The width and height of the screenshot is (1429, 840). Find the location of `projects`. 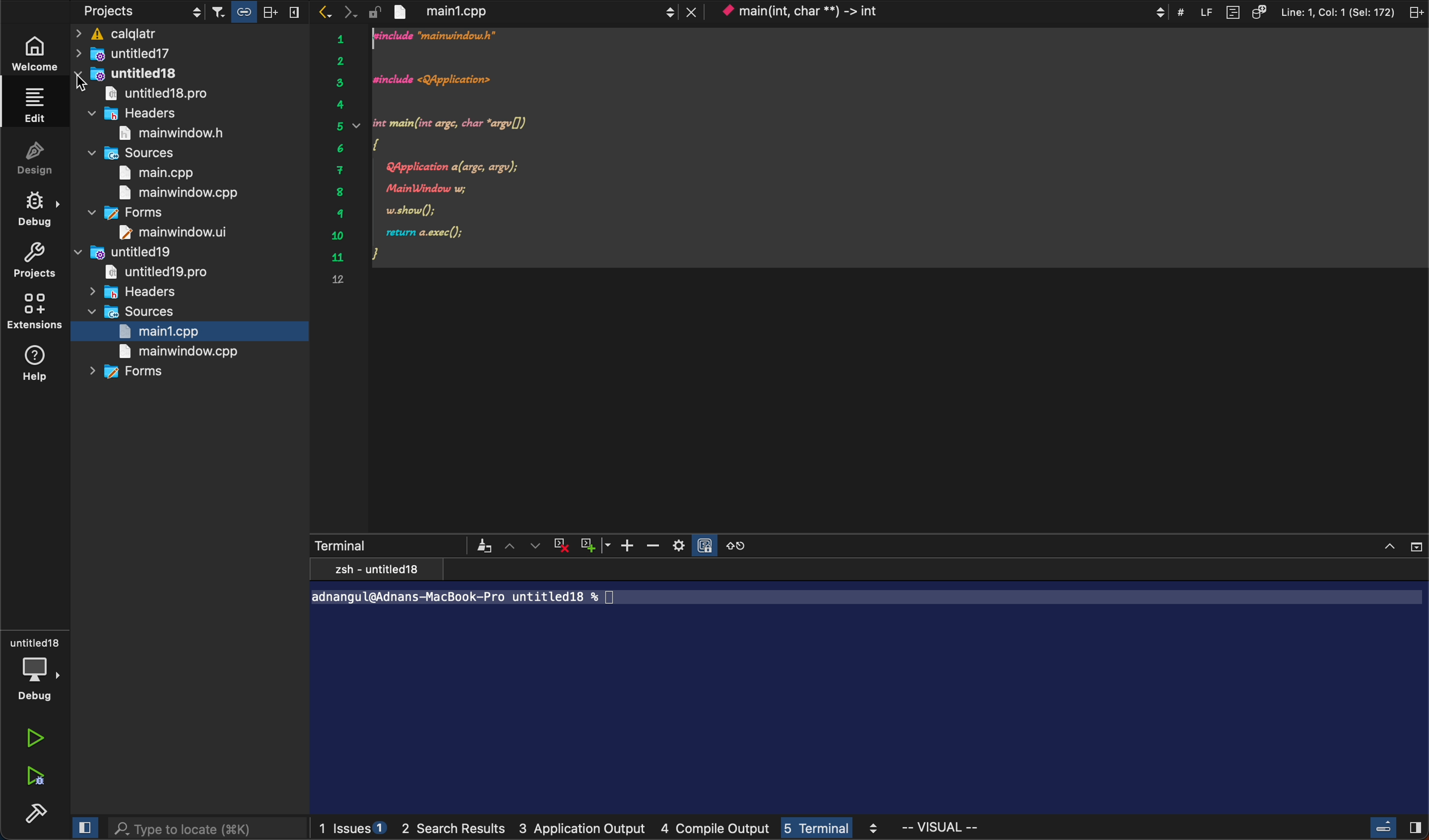

projects is located at coordinates (125, 11).